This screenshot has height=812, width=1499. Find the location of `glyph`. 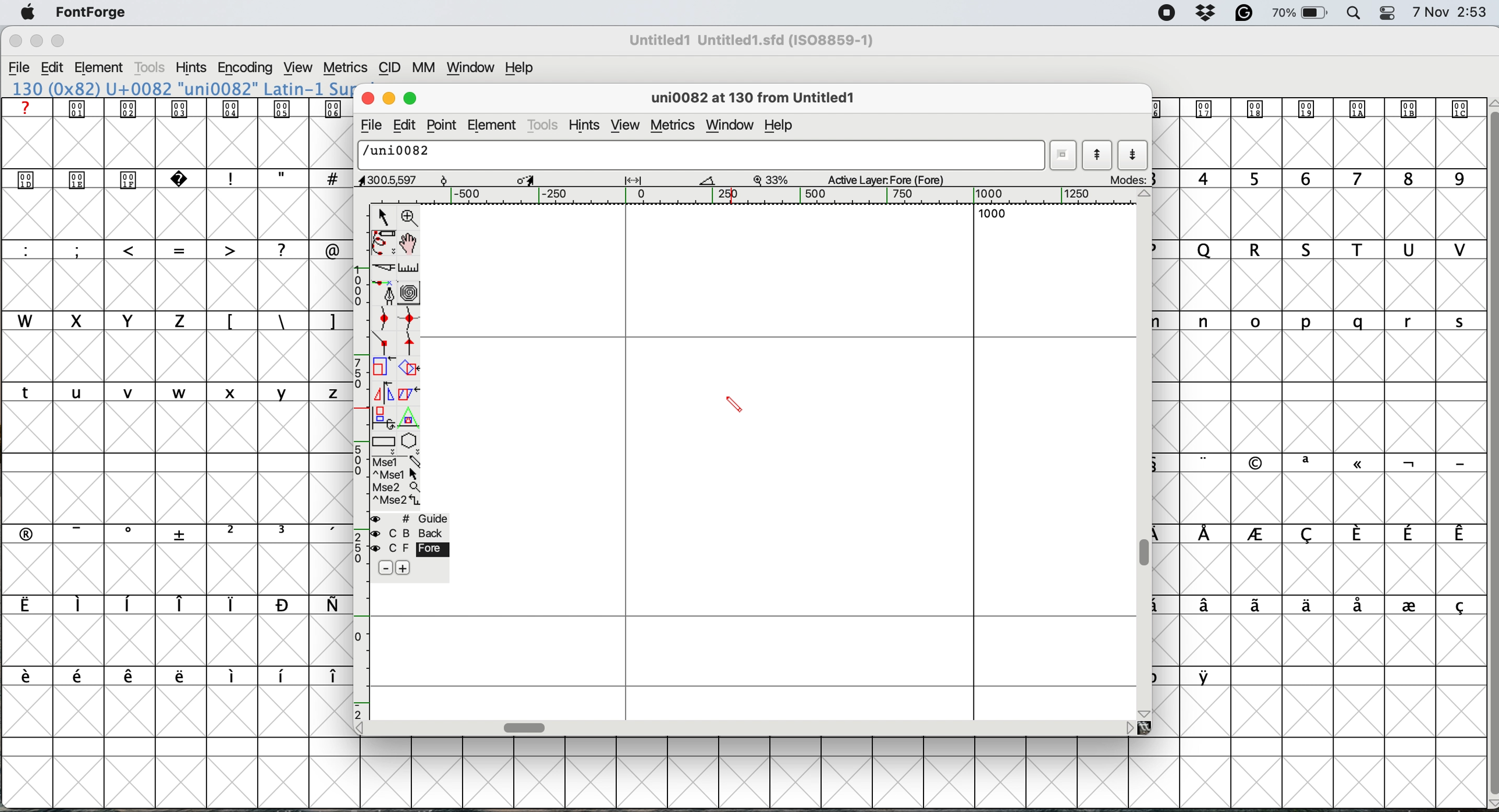

glyph is located at coordinates (702, 156).